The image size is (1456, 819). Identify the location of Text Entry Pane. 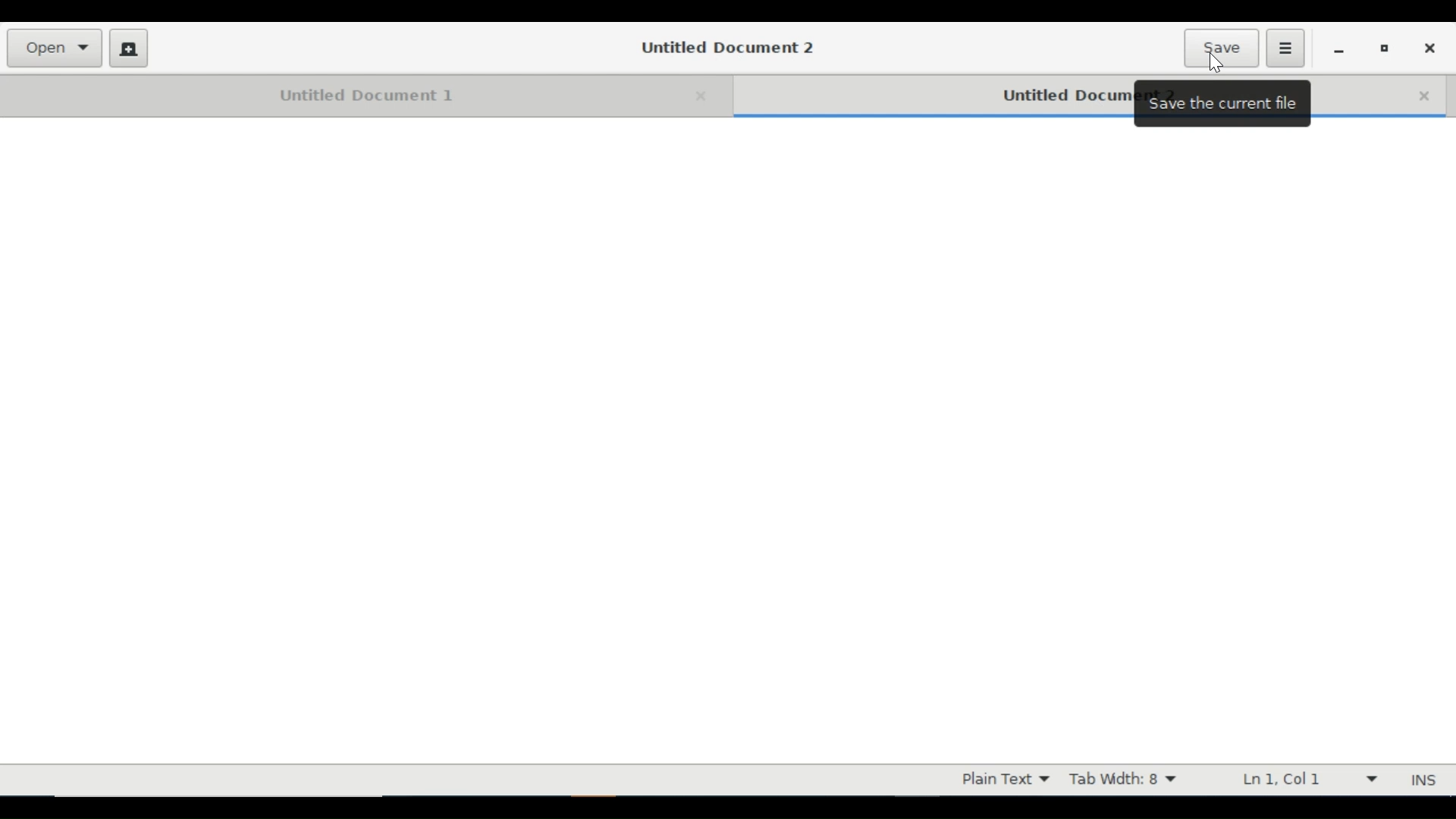
(726, 444).